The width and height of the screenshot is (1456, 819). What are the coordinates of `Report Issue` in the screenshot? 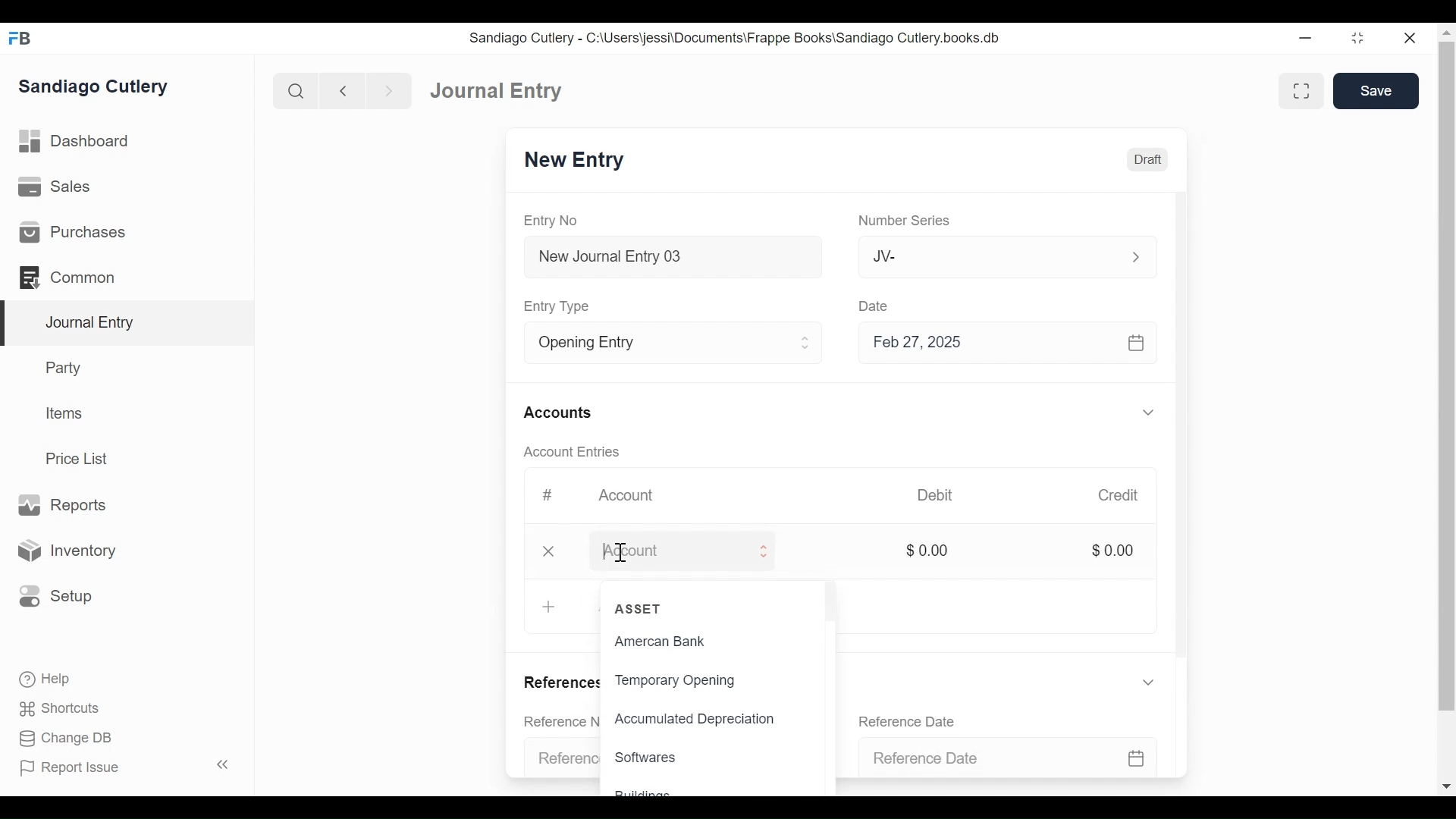 It's located at (71, 768).